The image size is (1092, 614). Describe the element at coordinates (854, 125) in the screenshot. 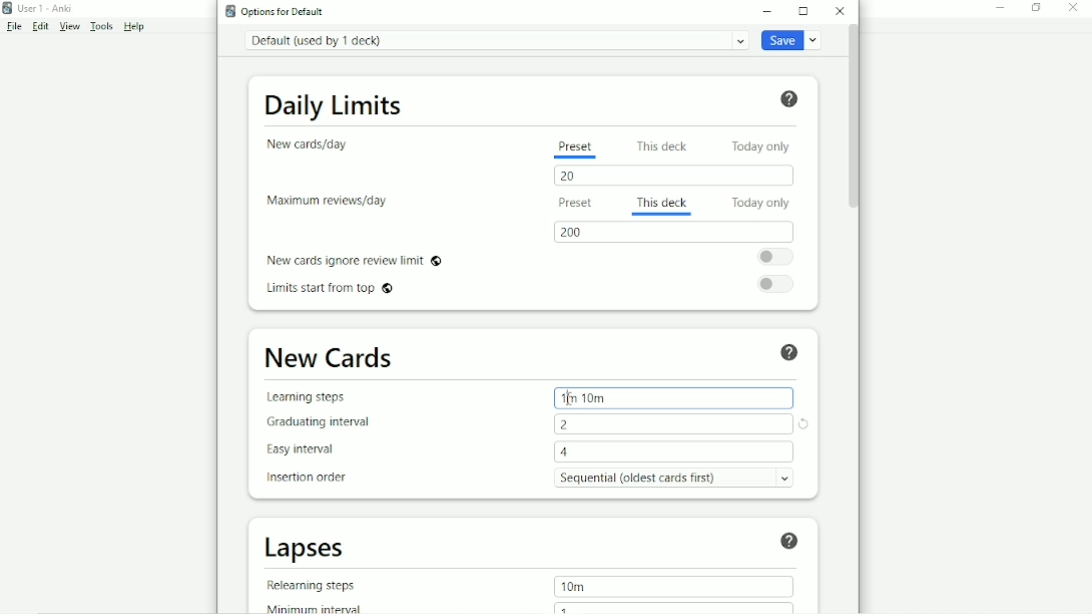

I see `Vertical scrollbar` at that location.